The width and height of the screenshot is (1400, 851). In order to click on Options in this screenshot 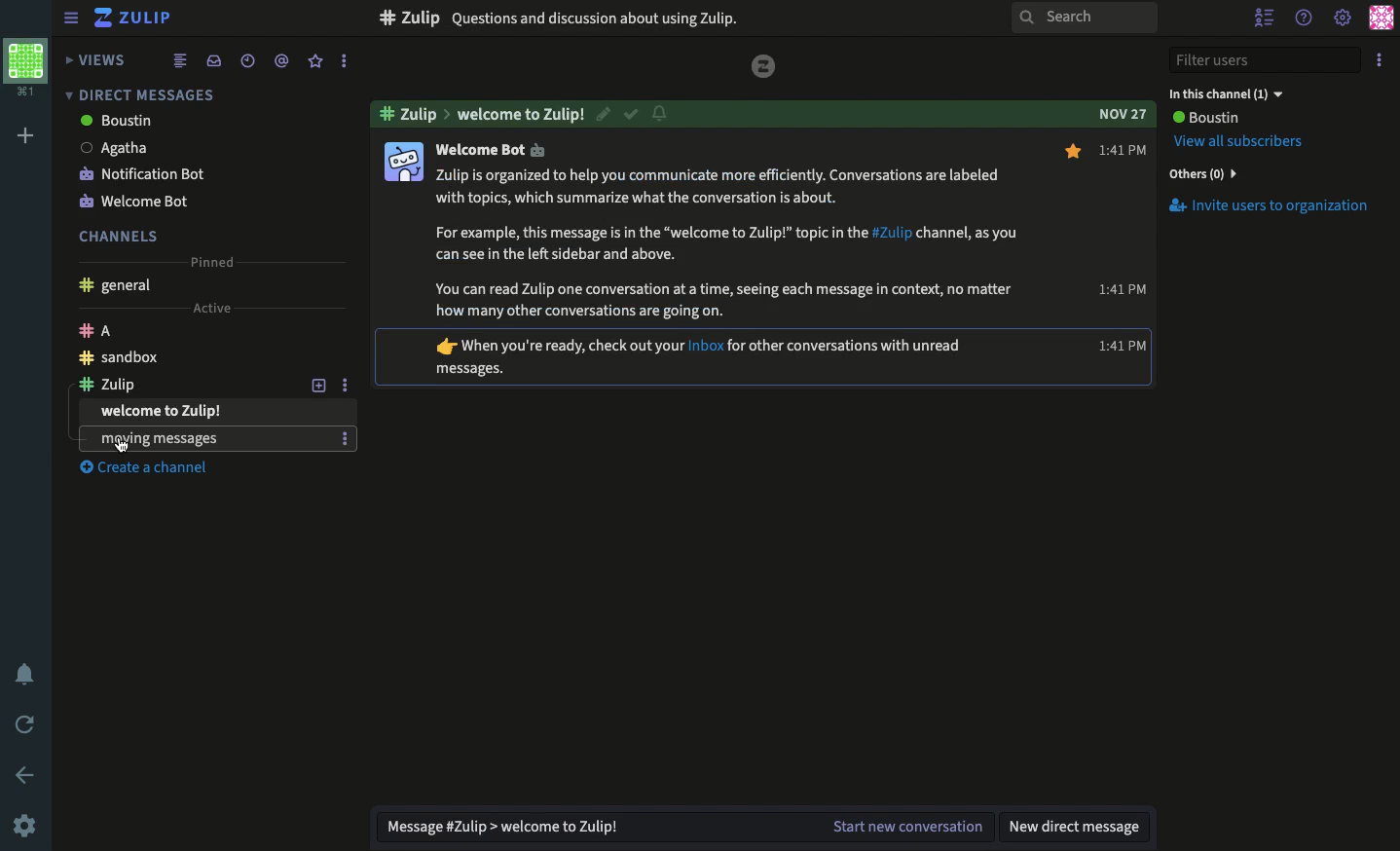, I will do `click(343, 61)`.